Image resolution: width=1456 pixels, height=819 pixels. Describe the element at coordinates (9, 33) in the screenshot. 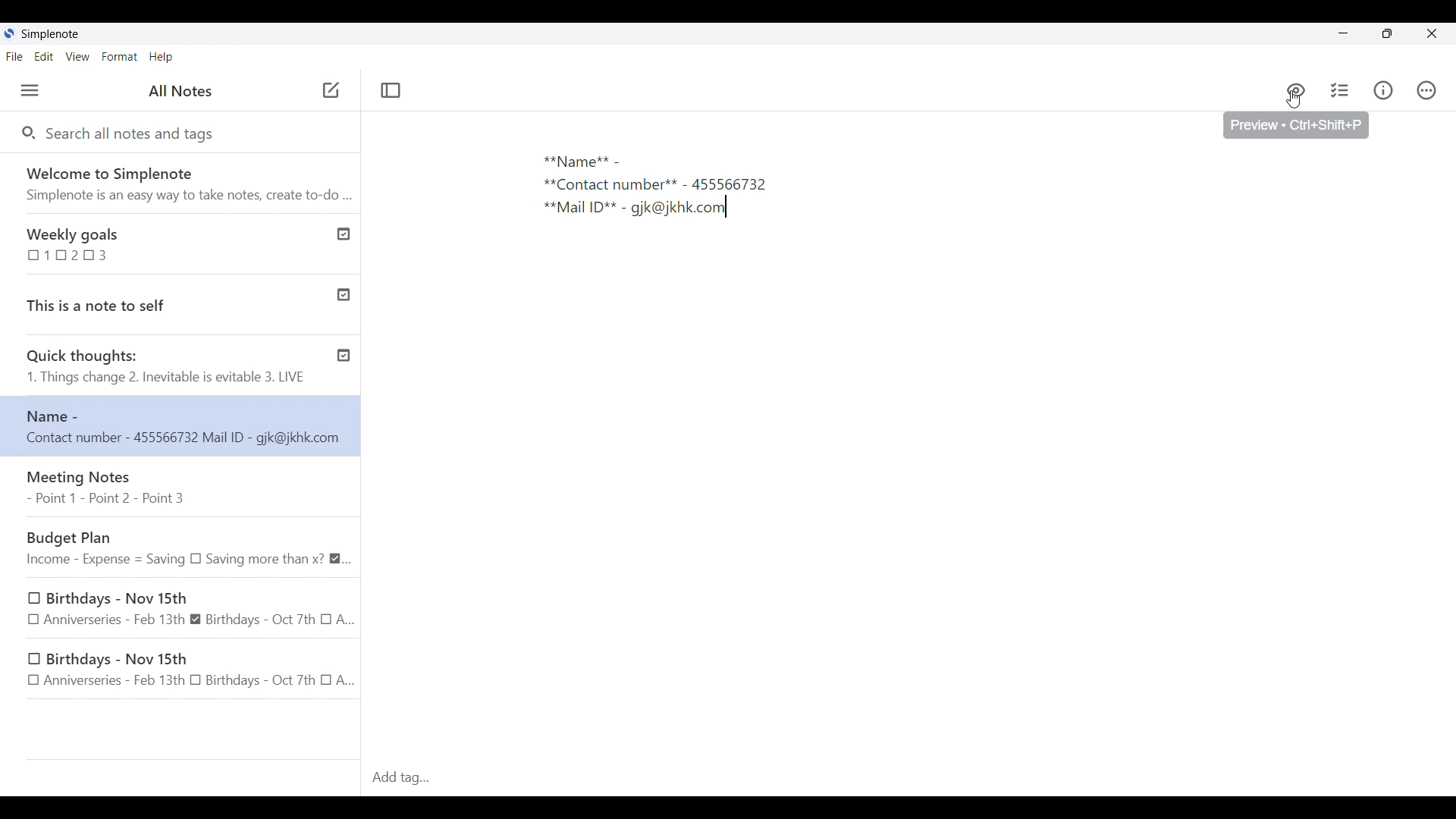

I see `Software logo` at that location.